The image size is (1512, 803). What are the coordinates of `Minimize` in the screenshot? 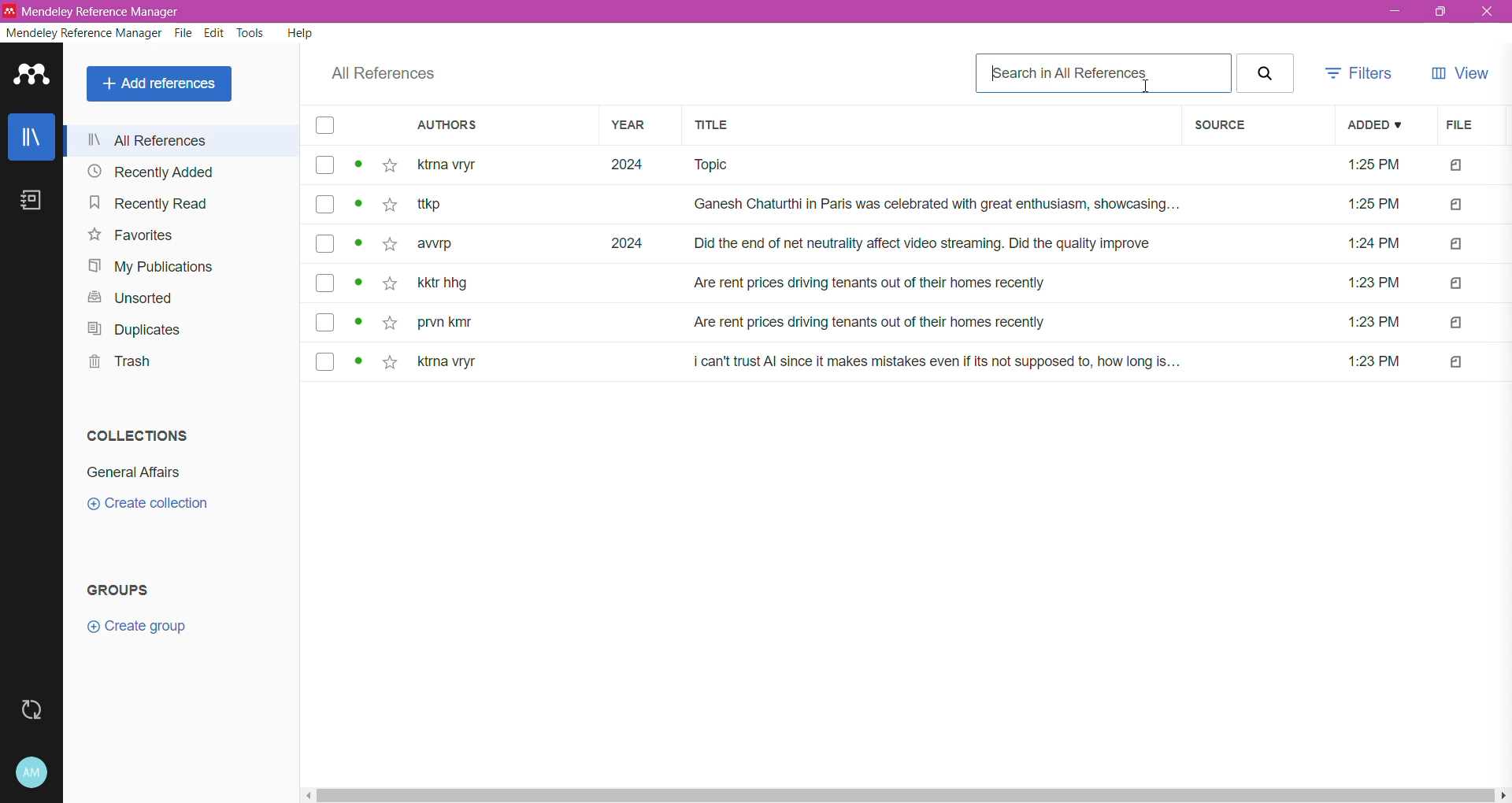 It's located at (1394, 12).